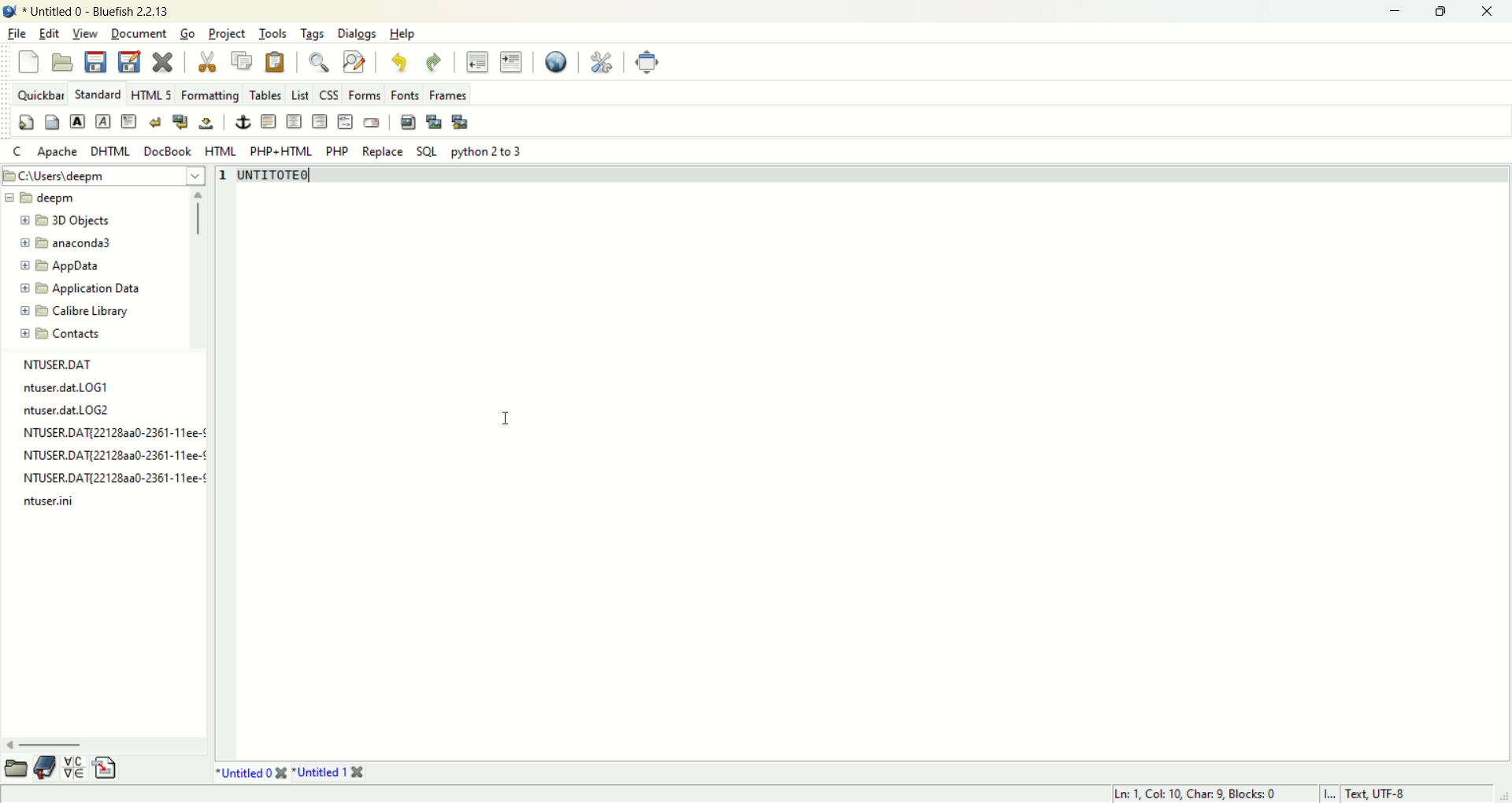 The image size is (1512, 803). I want to click on formatting, so click(207, 97).